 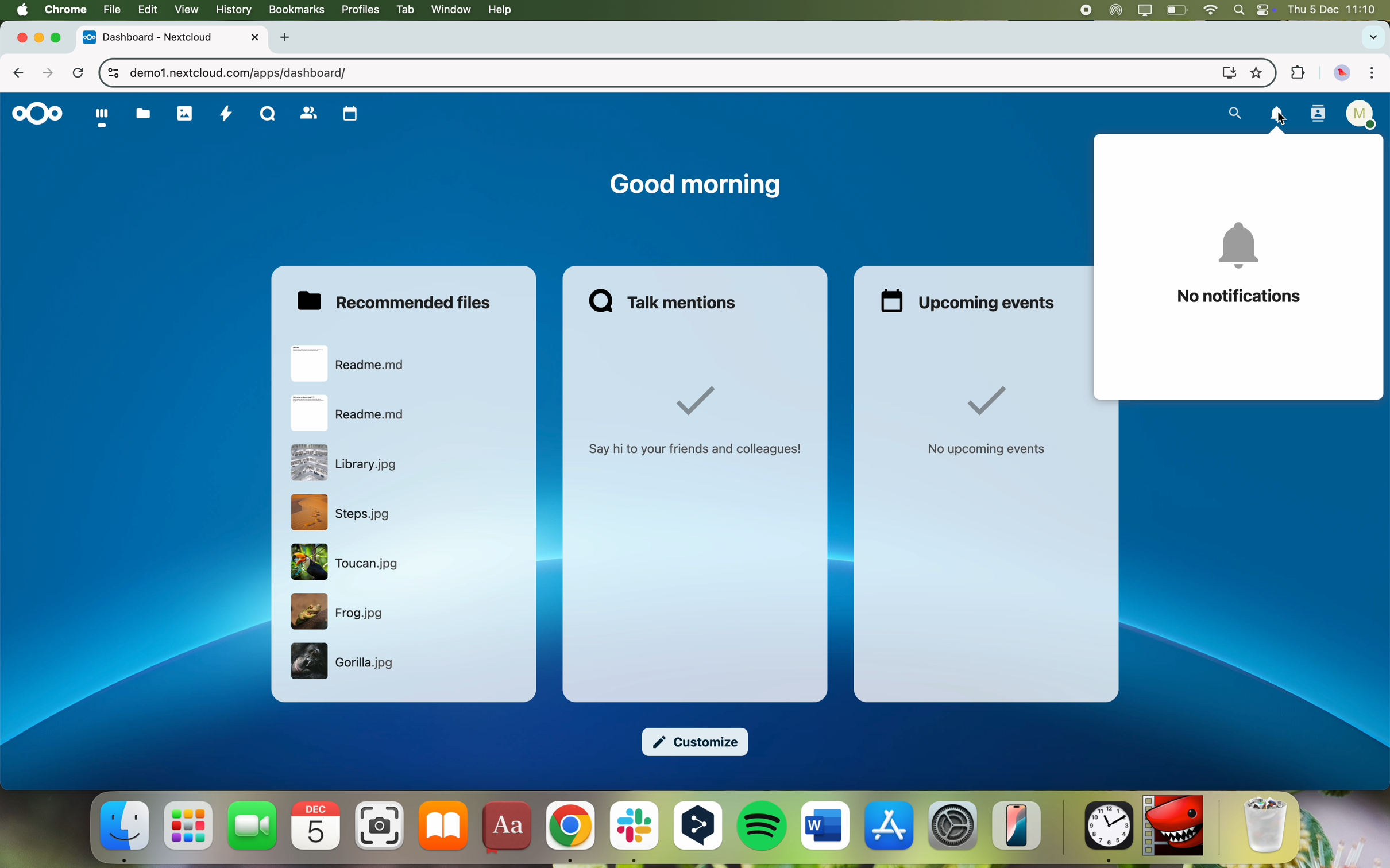 I want to click on Nextcloud logo, so click(x=34, y=115).